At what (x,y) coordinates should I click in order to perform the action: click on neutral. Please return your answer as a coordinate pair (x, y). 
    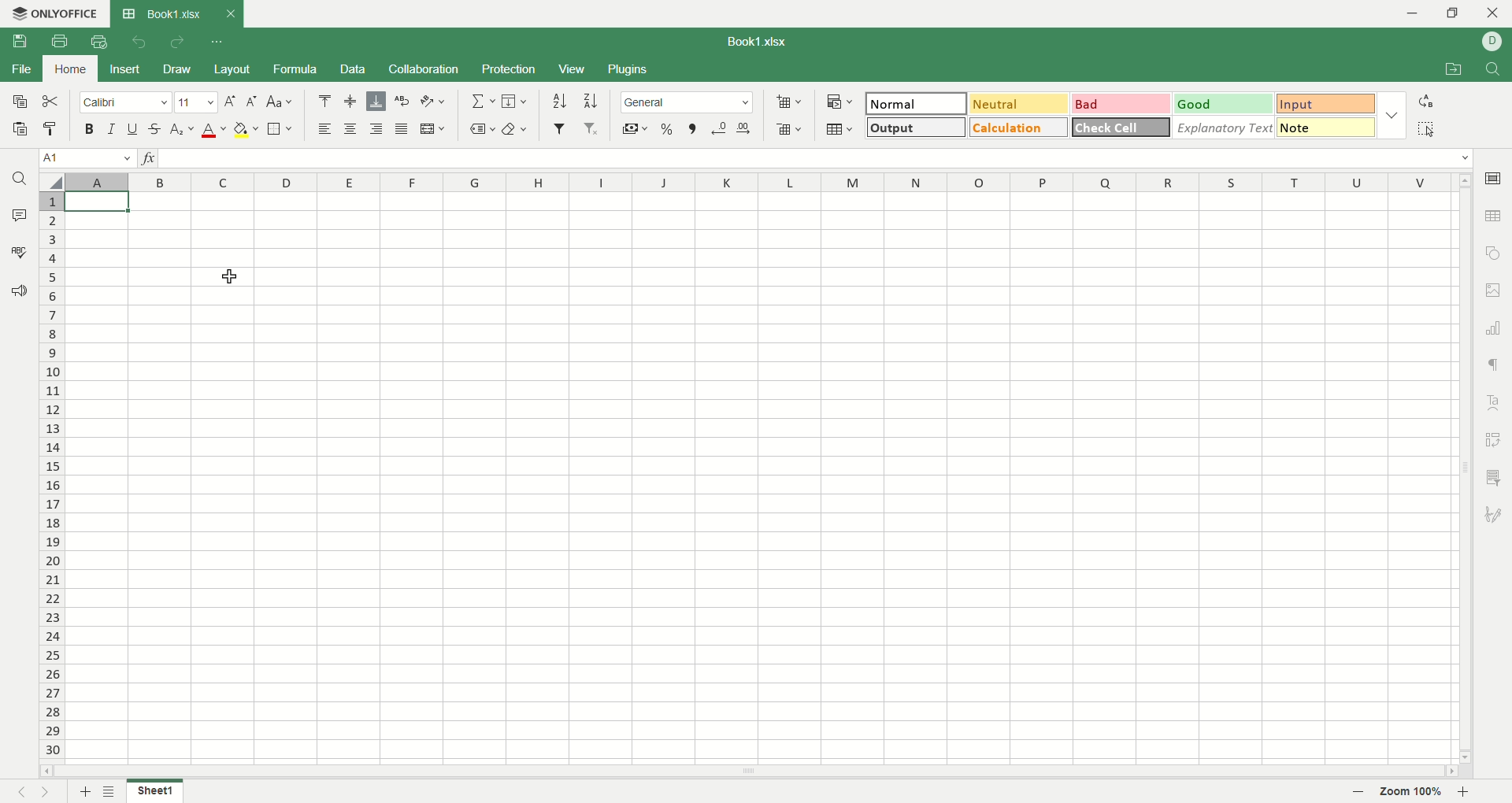
    Looking at the image, I should click on (1018, 102).